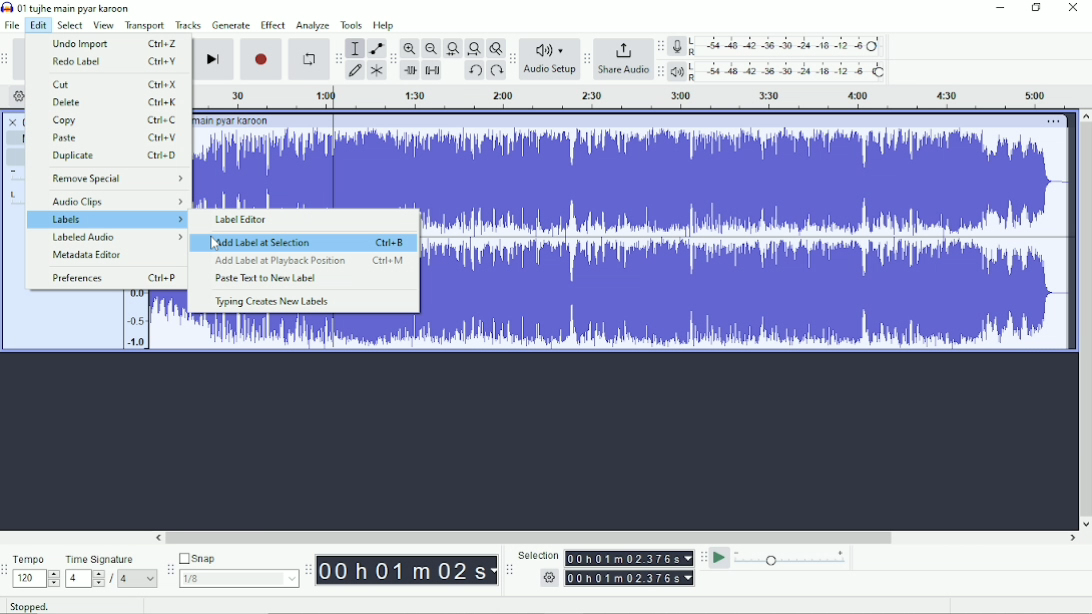 The height and width of the screenshot is (614, 1092). Describe the element at coordinates (116, 178) in the screenshot. I see `Remove Special` at that location.